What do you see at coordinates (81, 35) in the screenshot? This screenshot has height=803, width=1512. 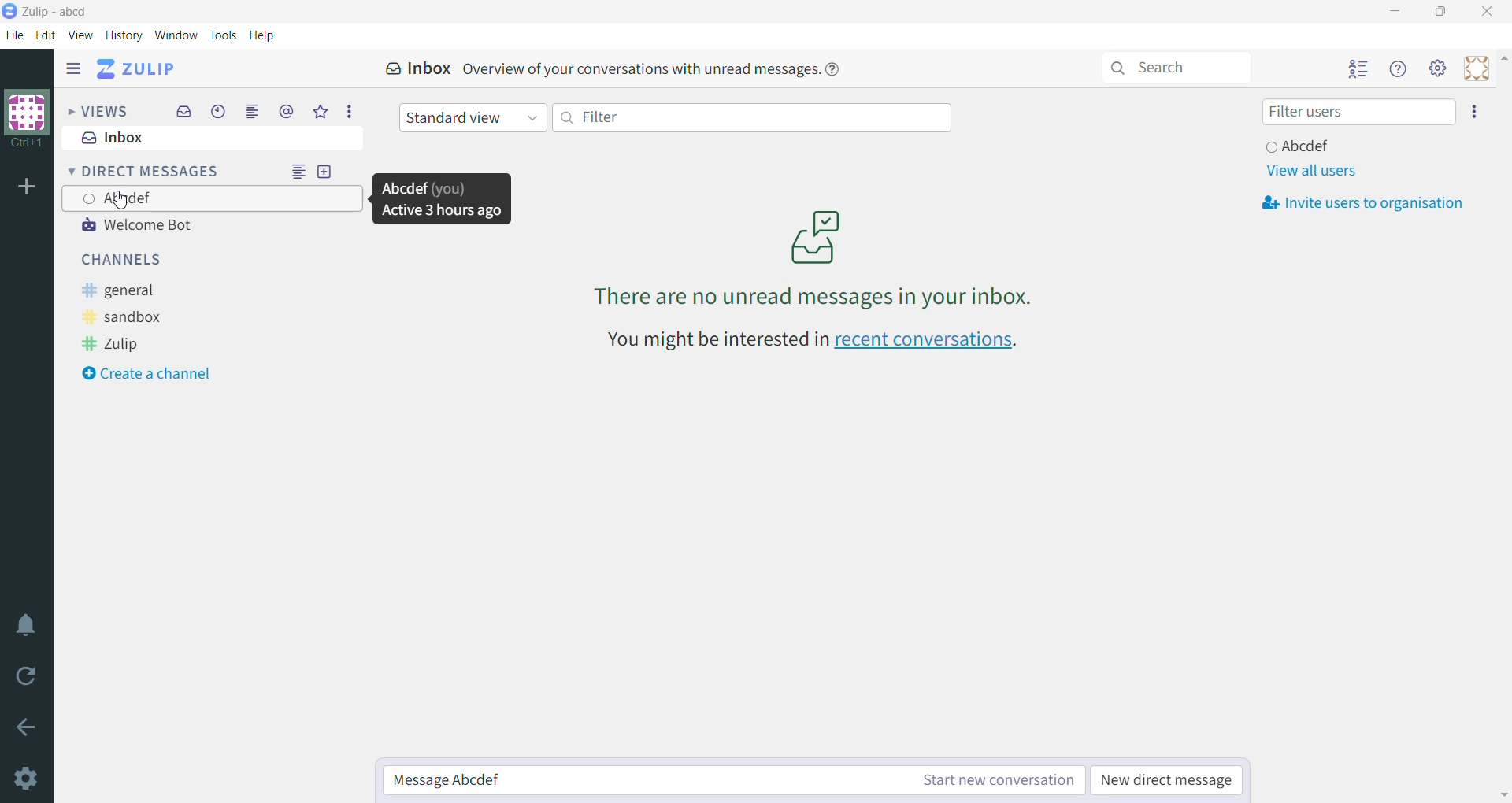 I see `View` at bounding box center [81, 35].